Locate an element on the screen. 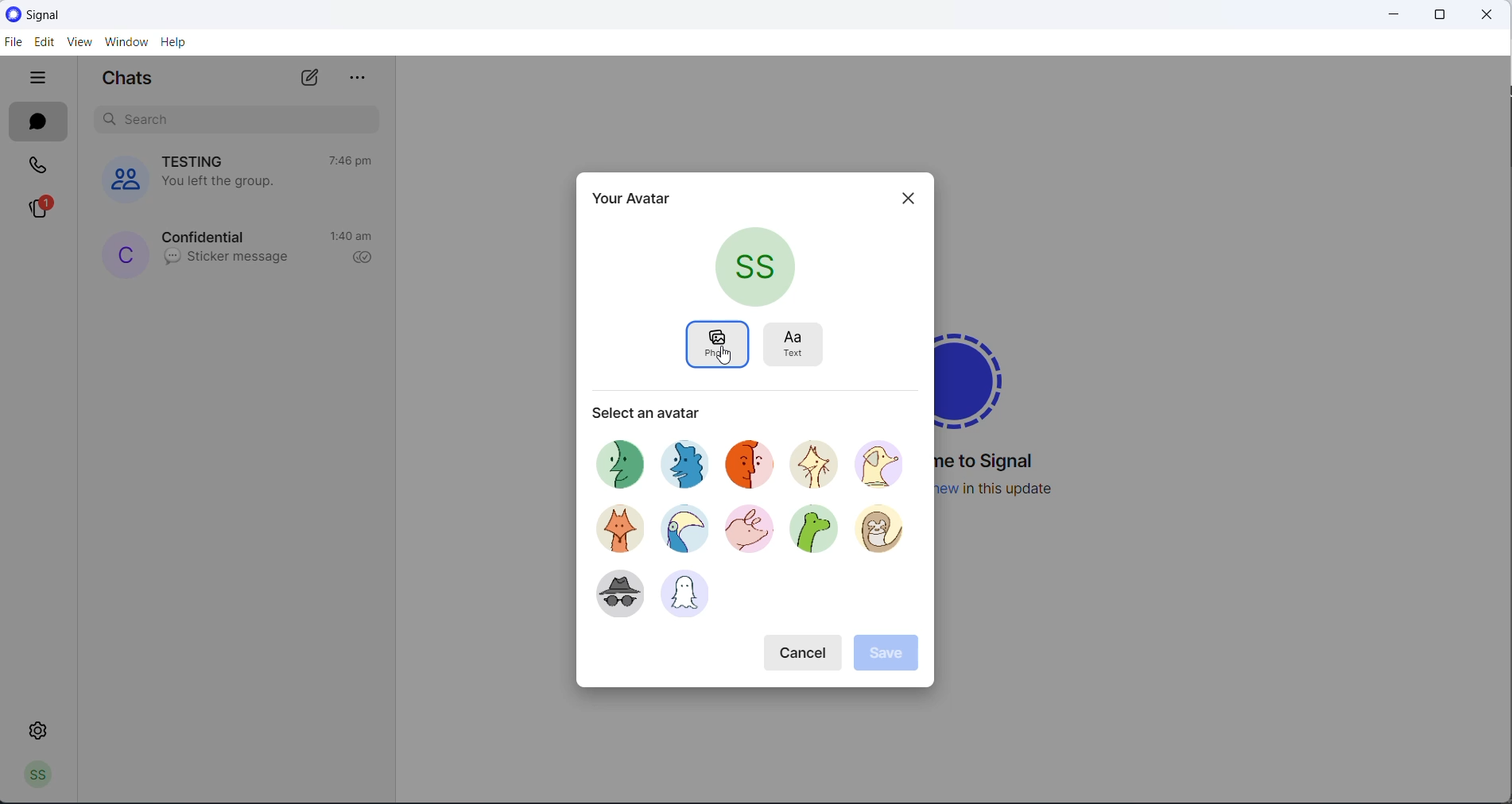 The image size is (1512, 804). avatar is located at coordinates (749, 531).